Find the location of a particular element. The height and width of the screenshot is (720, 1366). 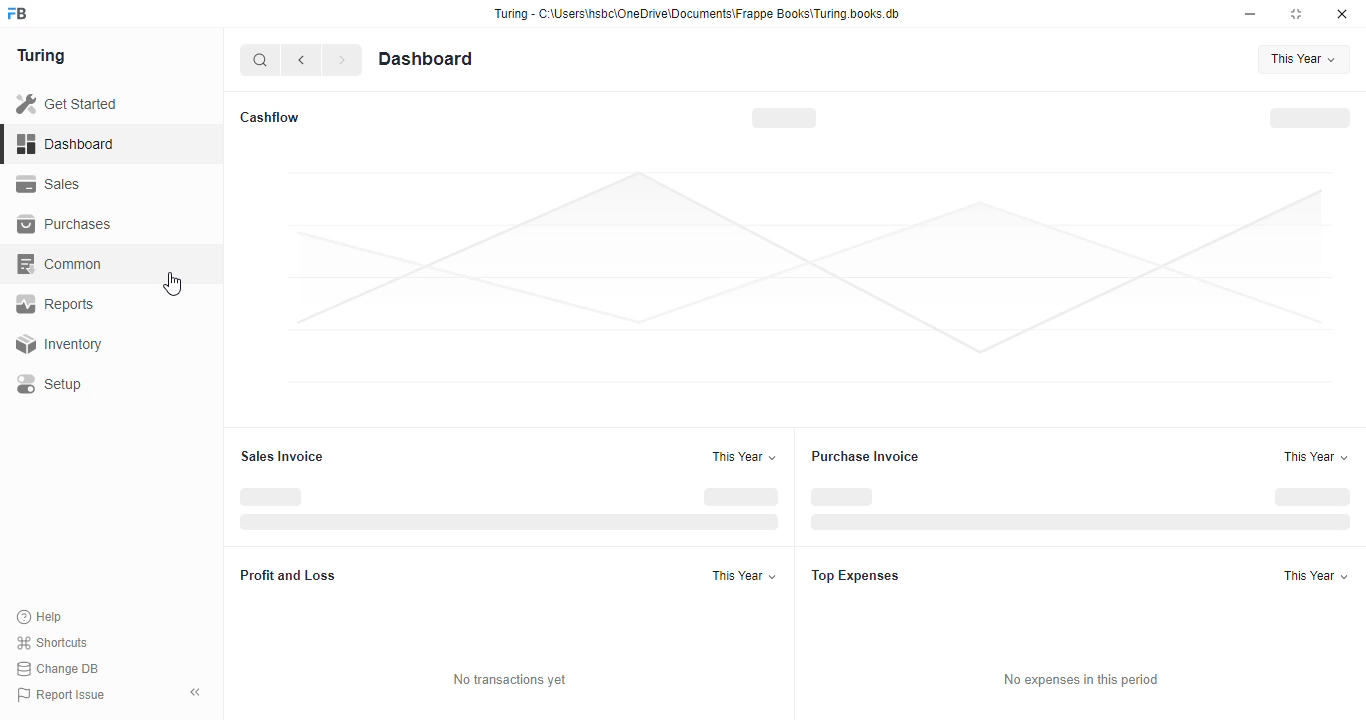

inventory is located at coordinates (58, 344).